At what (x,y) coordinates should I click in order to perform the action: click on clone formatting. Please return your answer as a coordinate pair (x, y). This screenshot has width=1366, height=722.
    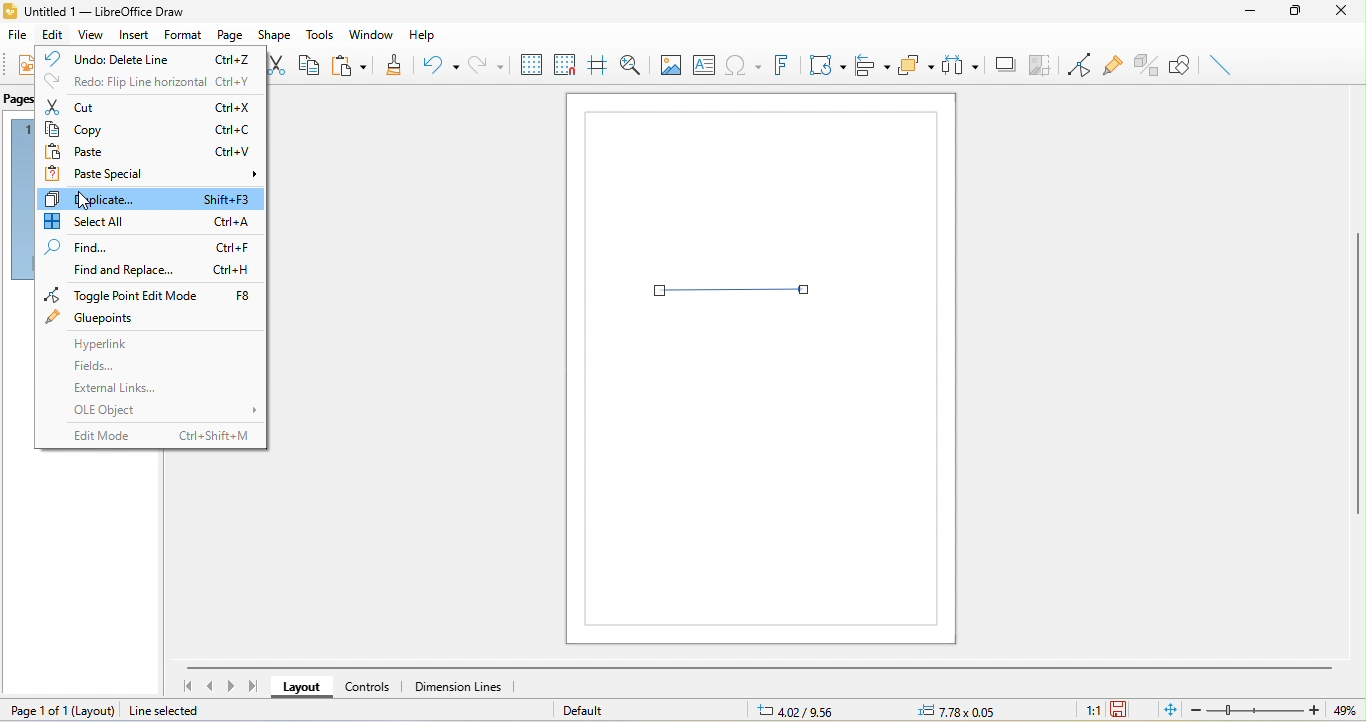
    Looking at the image, I should click on (397, 63).